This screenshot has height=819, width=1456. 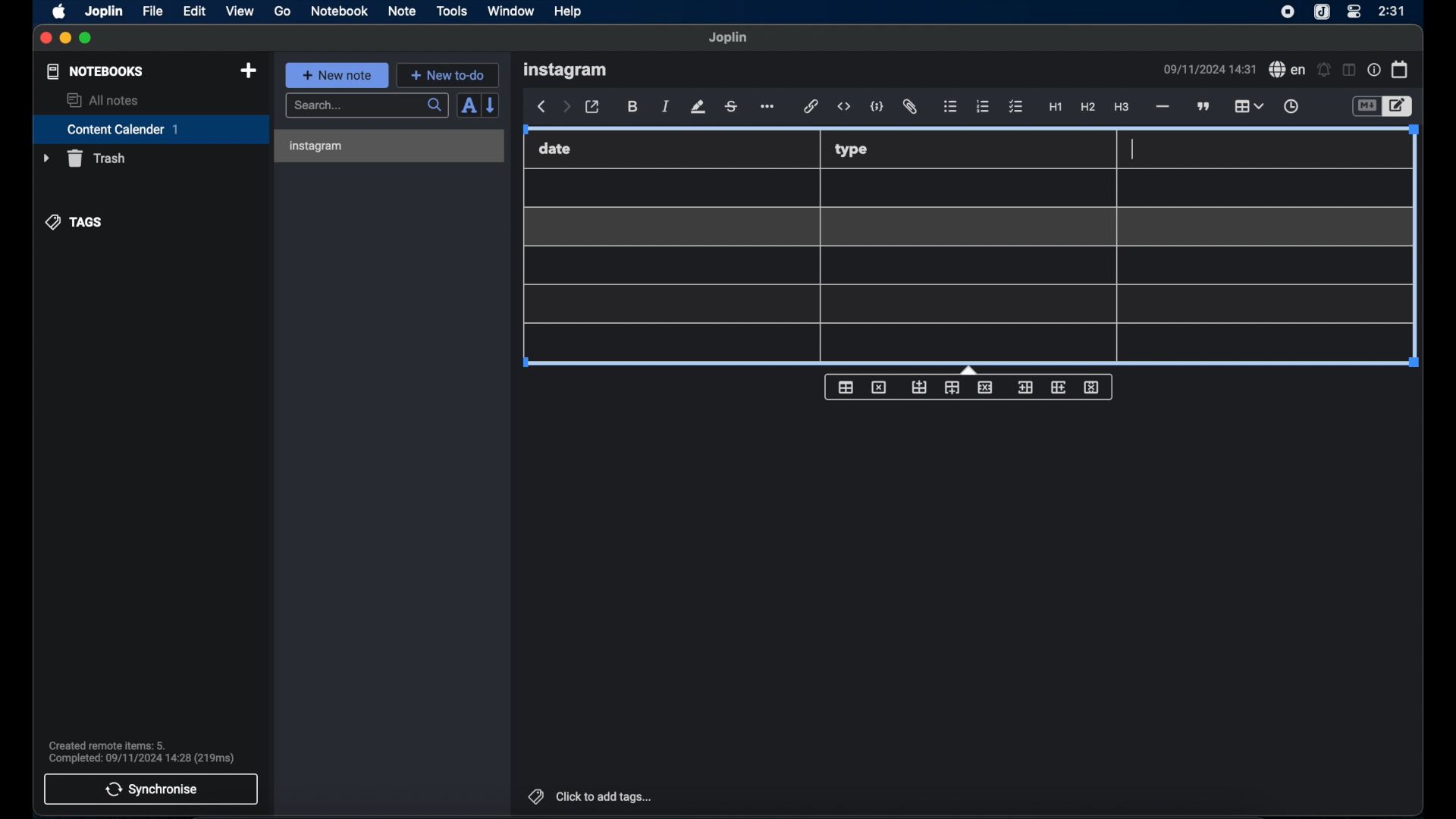 What do you see at coordinates (1248, 105) in the screenshot?
I see `table highlighted` at bounding box center [1248, 105].